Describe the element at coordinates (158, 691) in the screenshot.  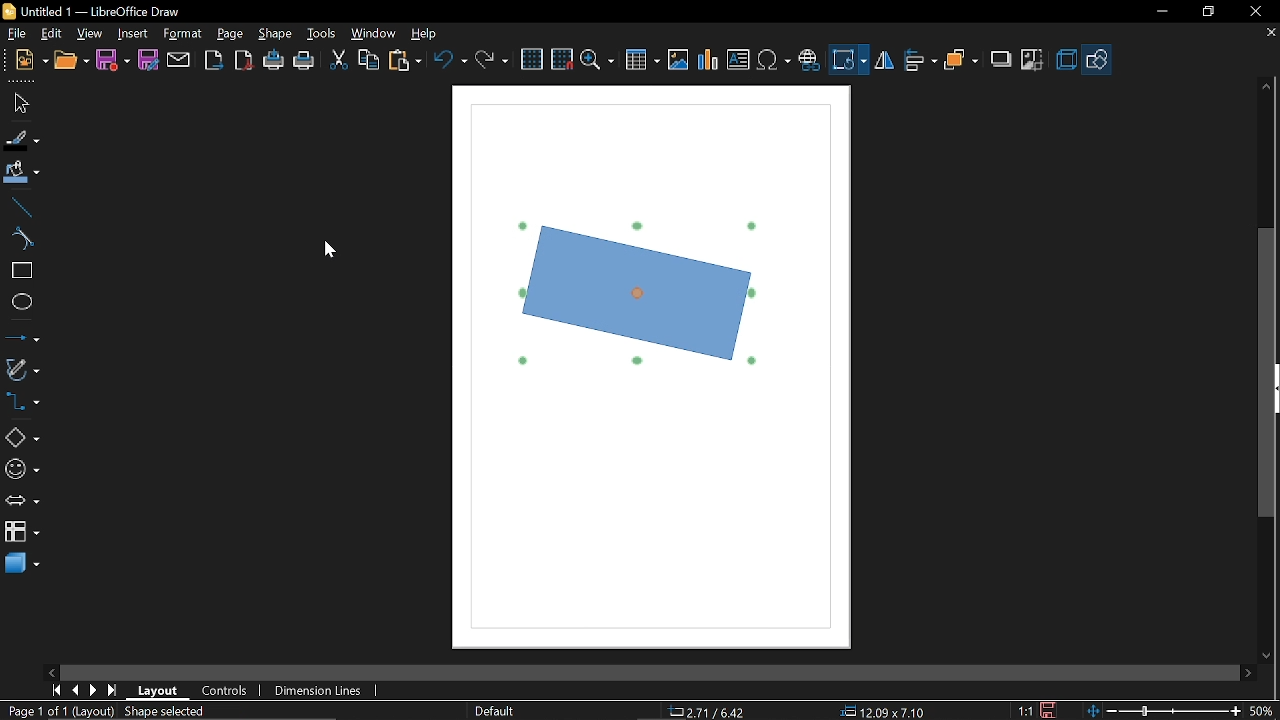
I see `Layout` at that location.